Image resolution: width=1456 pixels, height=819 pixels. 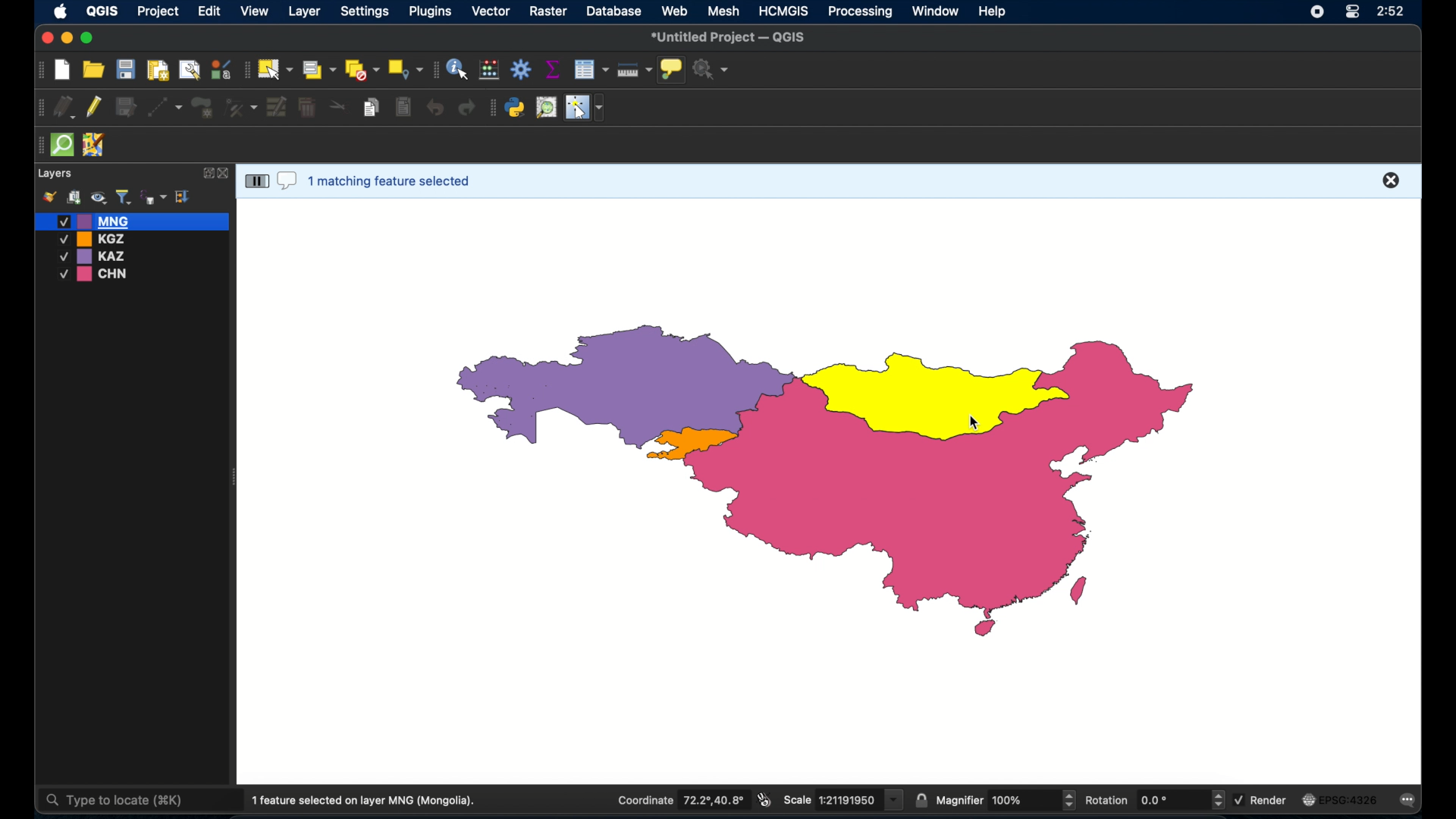 I want to click on mesh, so click(x=725, y=11).